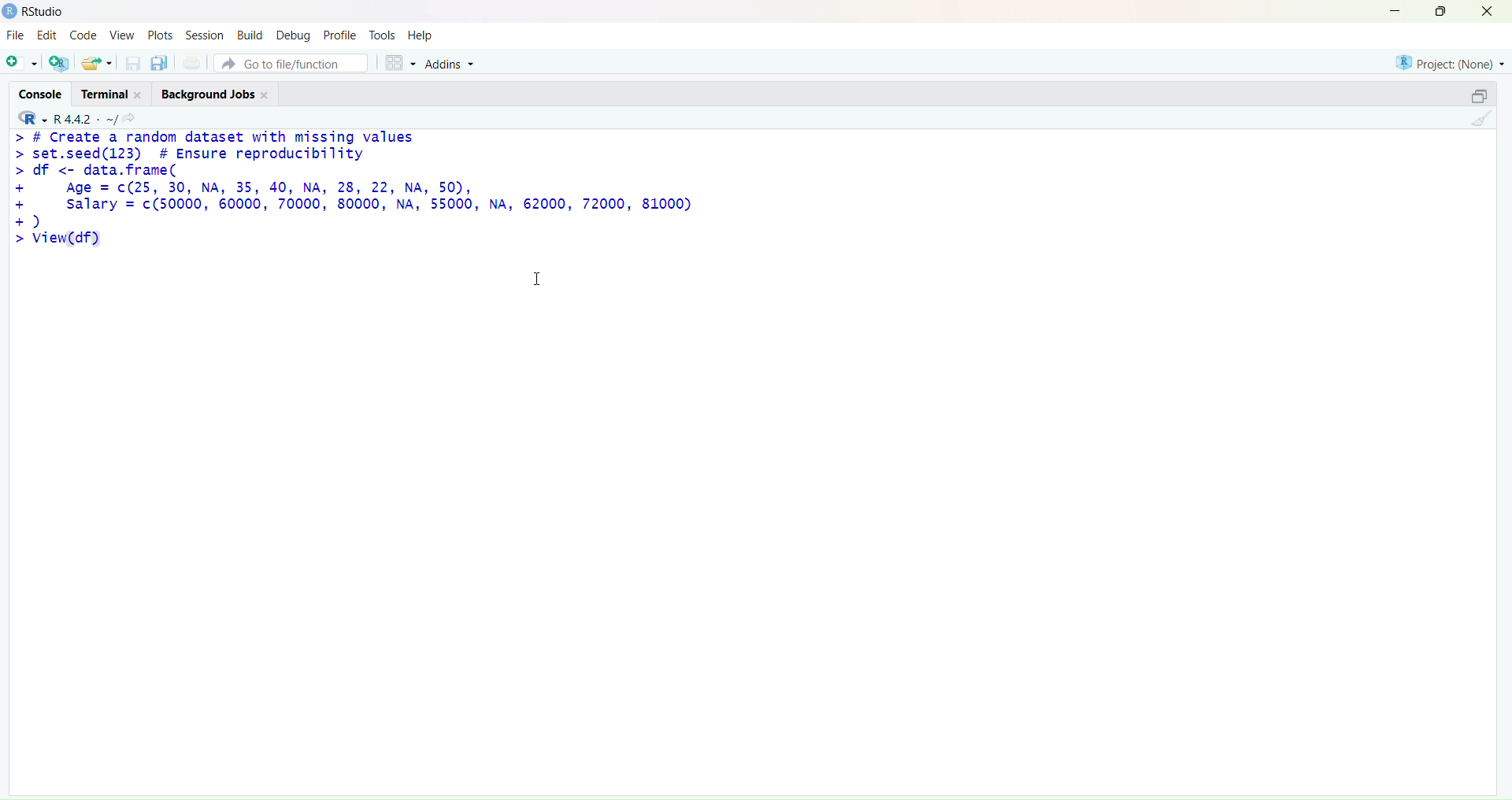  What do you see at coordinates (41, 93) in the screenshot?
I see `console` at bounding box center [41, 93].